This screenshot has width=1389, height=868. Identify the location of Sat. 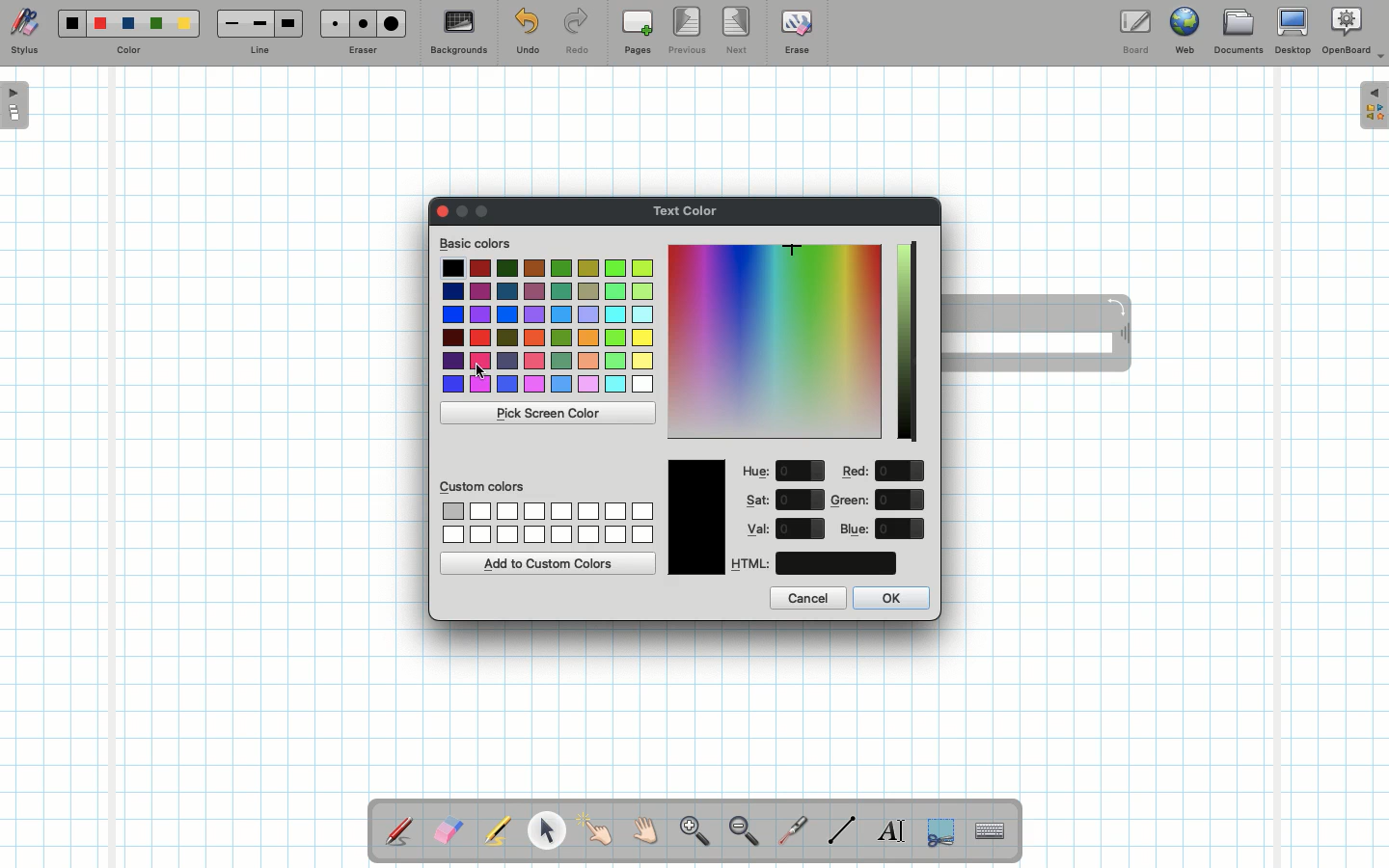
(758, 500).